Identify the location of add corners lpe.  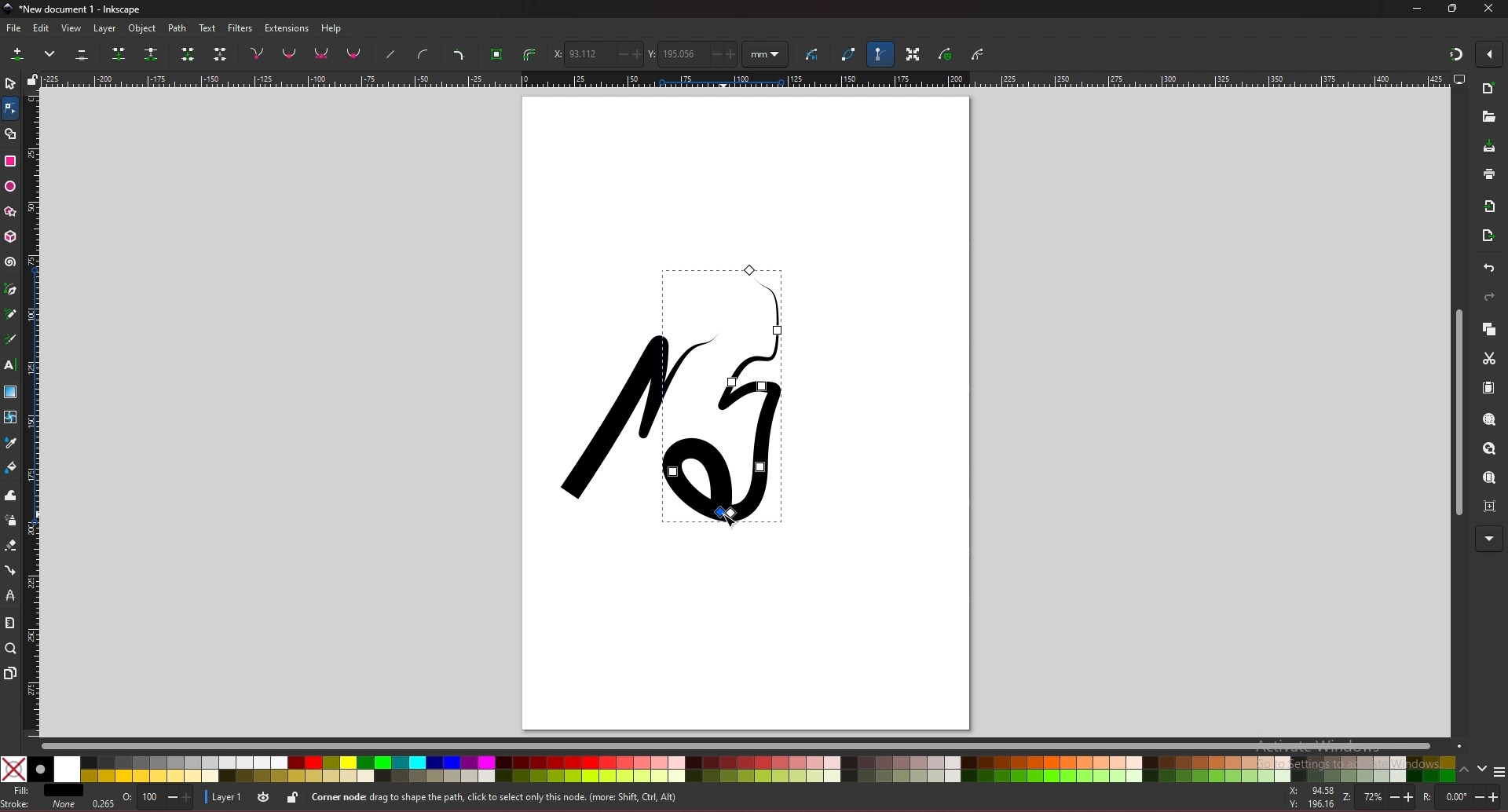
(459, 55).